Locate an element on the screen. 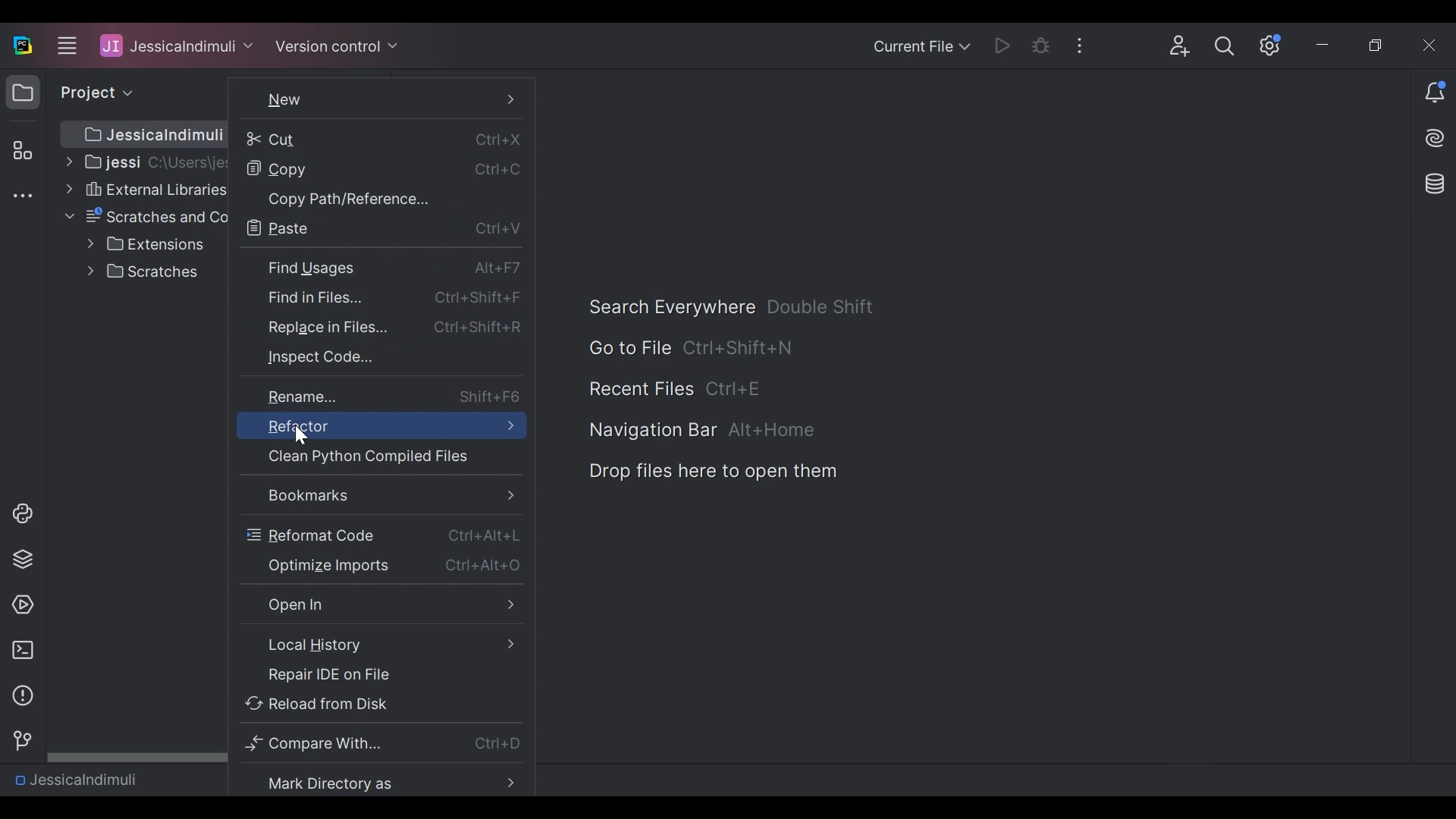  Settings is located at coordinates (1271, 45).